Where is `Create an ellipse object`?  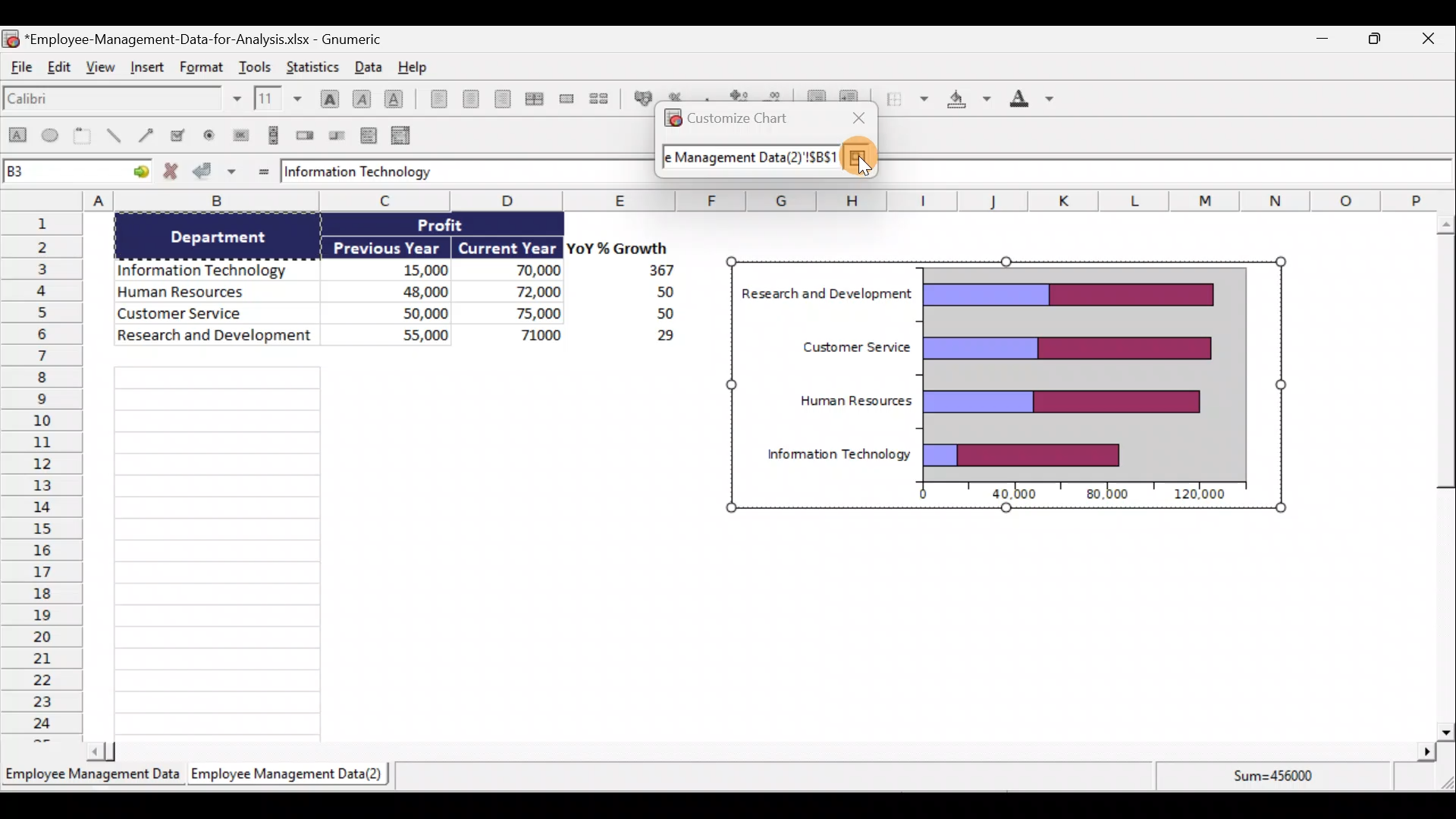 Create an ellipse object is located at coordinates (52, 137).